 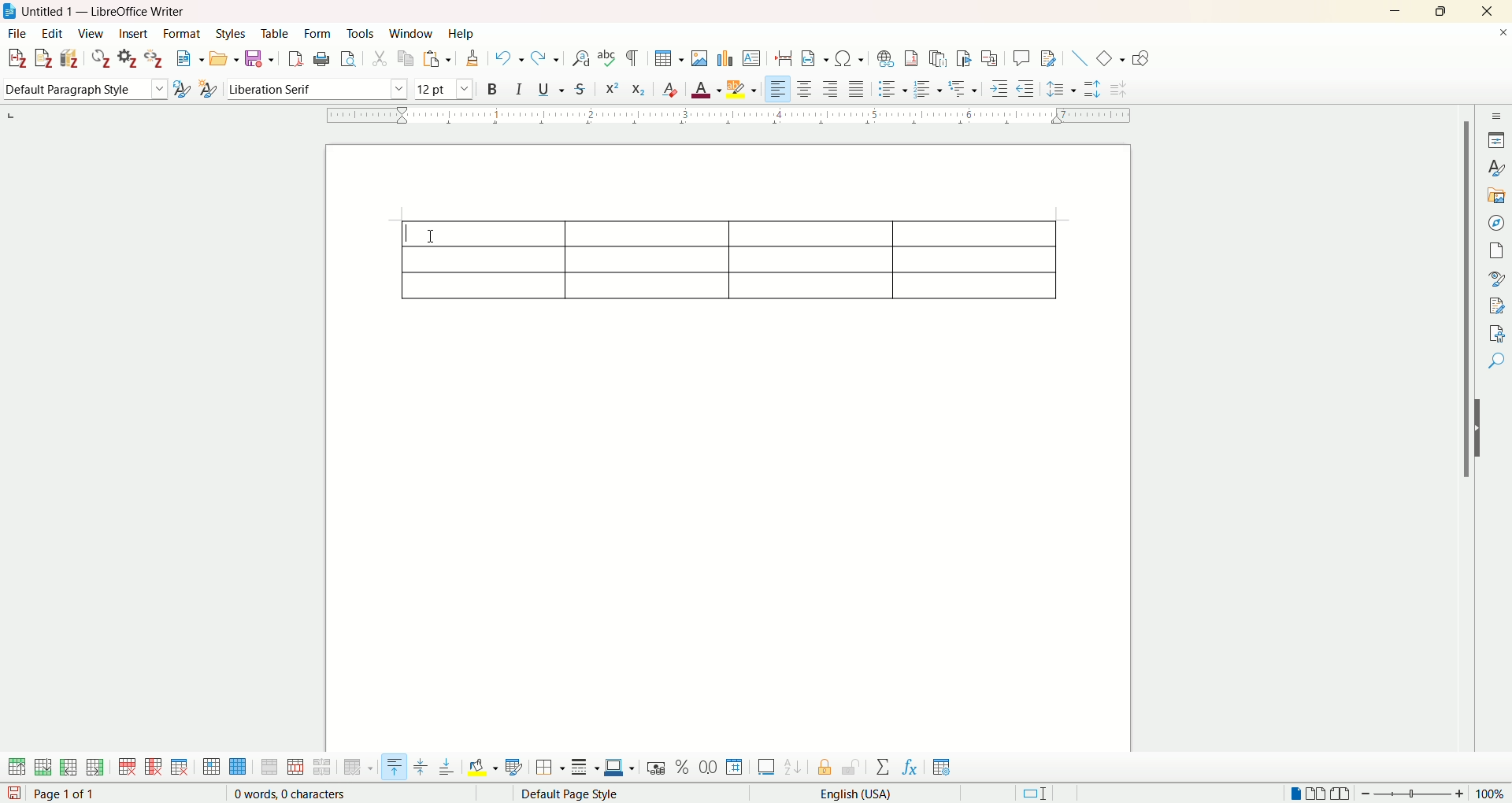 I want to click on styles, so click(x=233, y=34).